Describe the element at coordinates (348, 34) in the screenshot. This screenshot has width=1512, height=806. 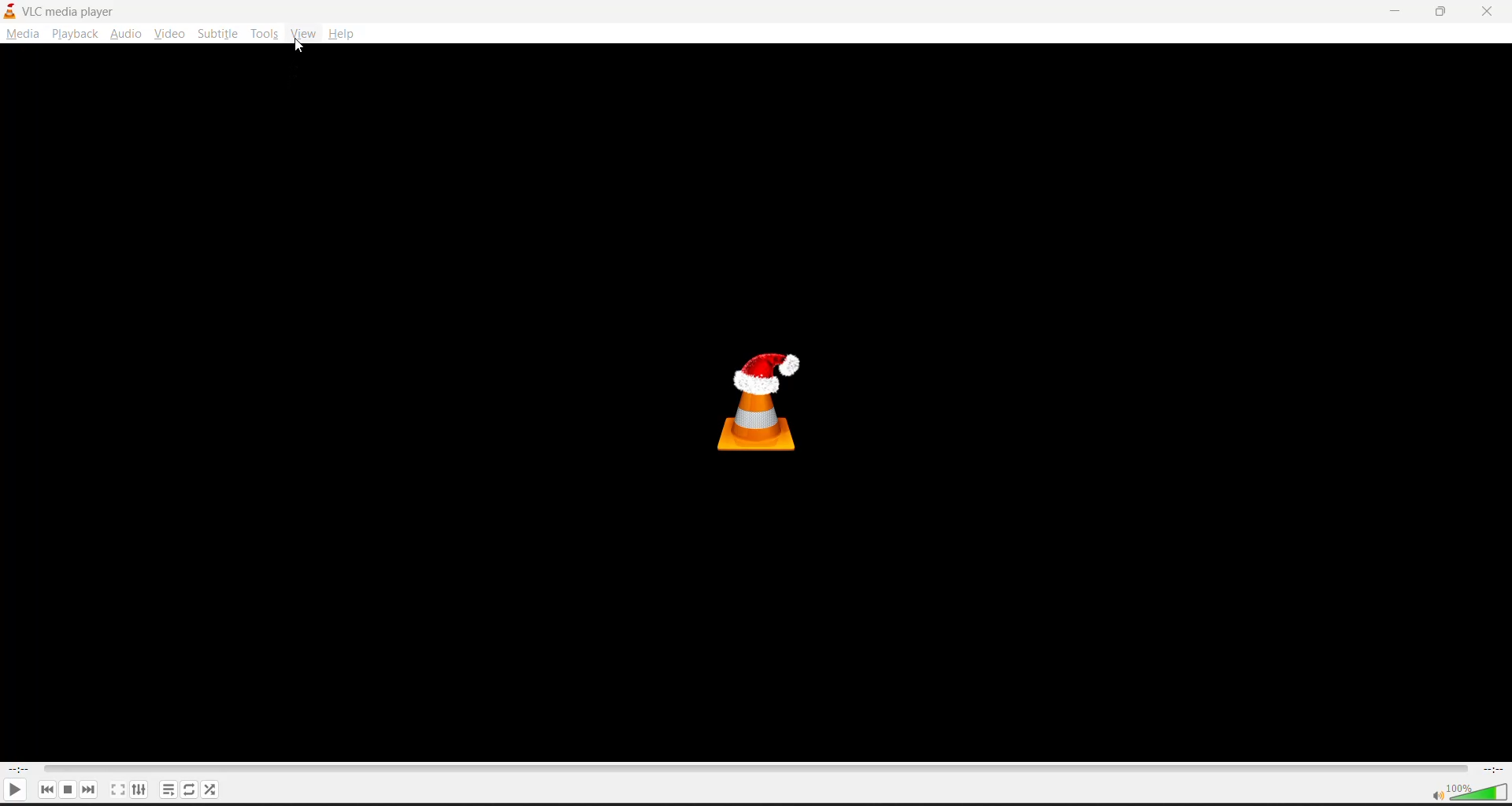
I see `help` at that location.